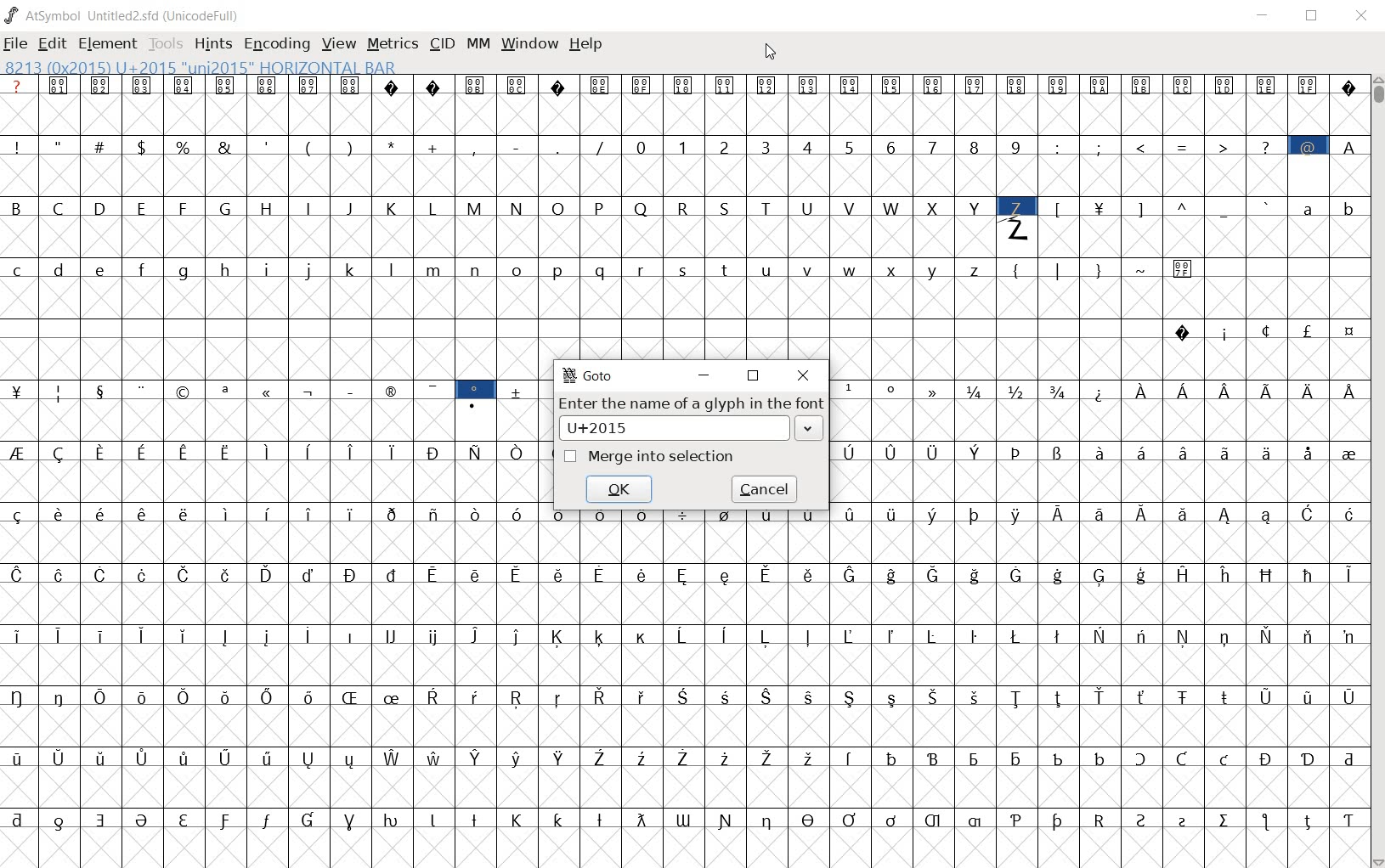 The width and height of the screenshot is (1385, 868). I want to click on GOTO, so click(589, 375).